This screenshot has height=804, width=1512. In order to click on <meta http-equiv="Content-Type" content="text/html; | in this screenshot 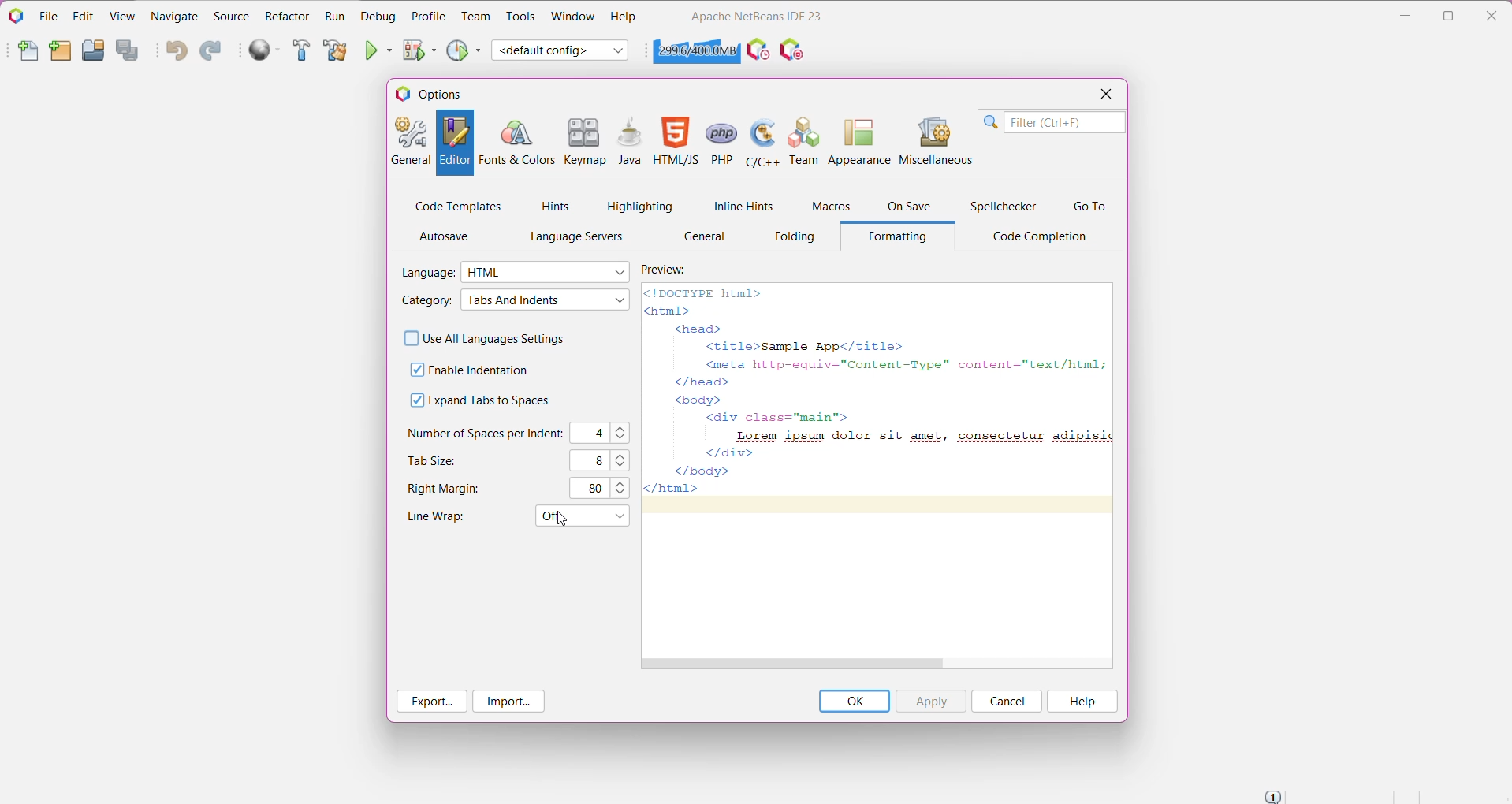, I will do `click(900, 364)`.